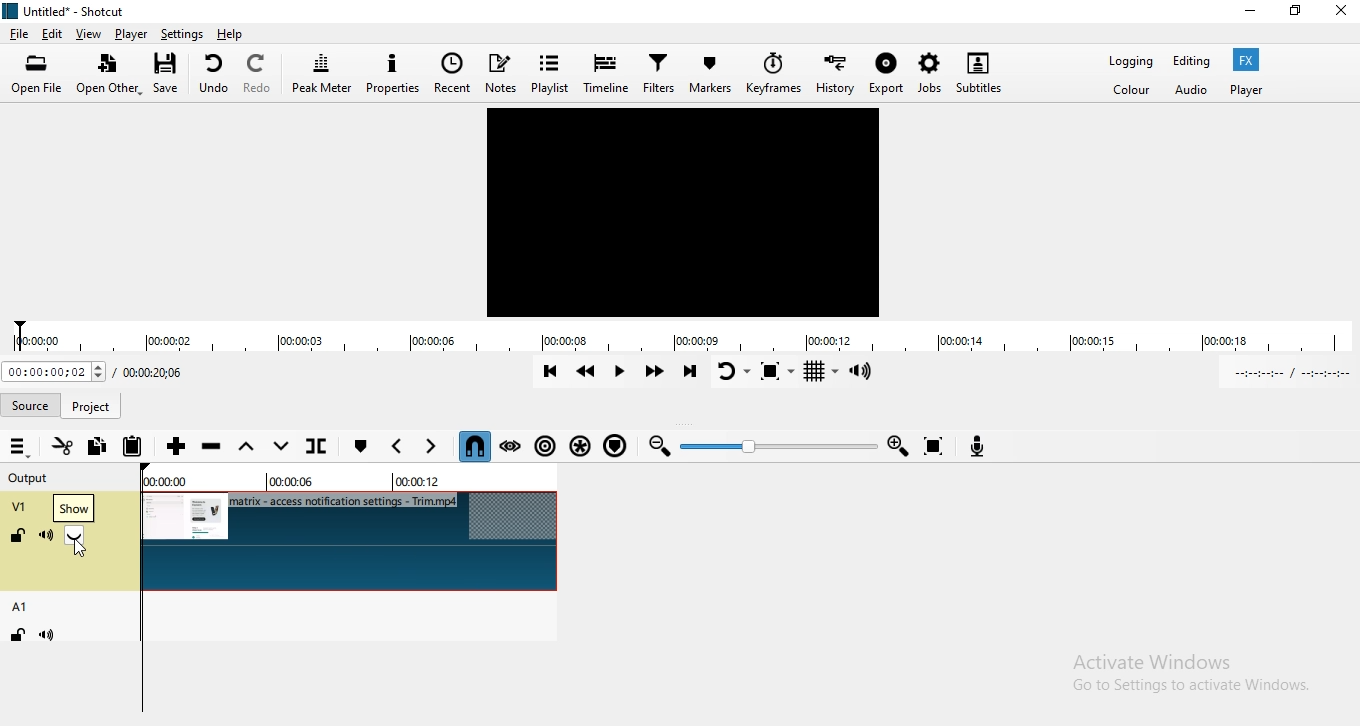 The image size is (1360, 726). What do you see at coordinates (18, 534) in the screenshot?
I see `Lock` at bounding box center [18, 534].